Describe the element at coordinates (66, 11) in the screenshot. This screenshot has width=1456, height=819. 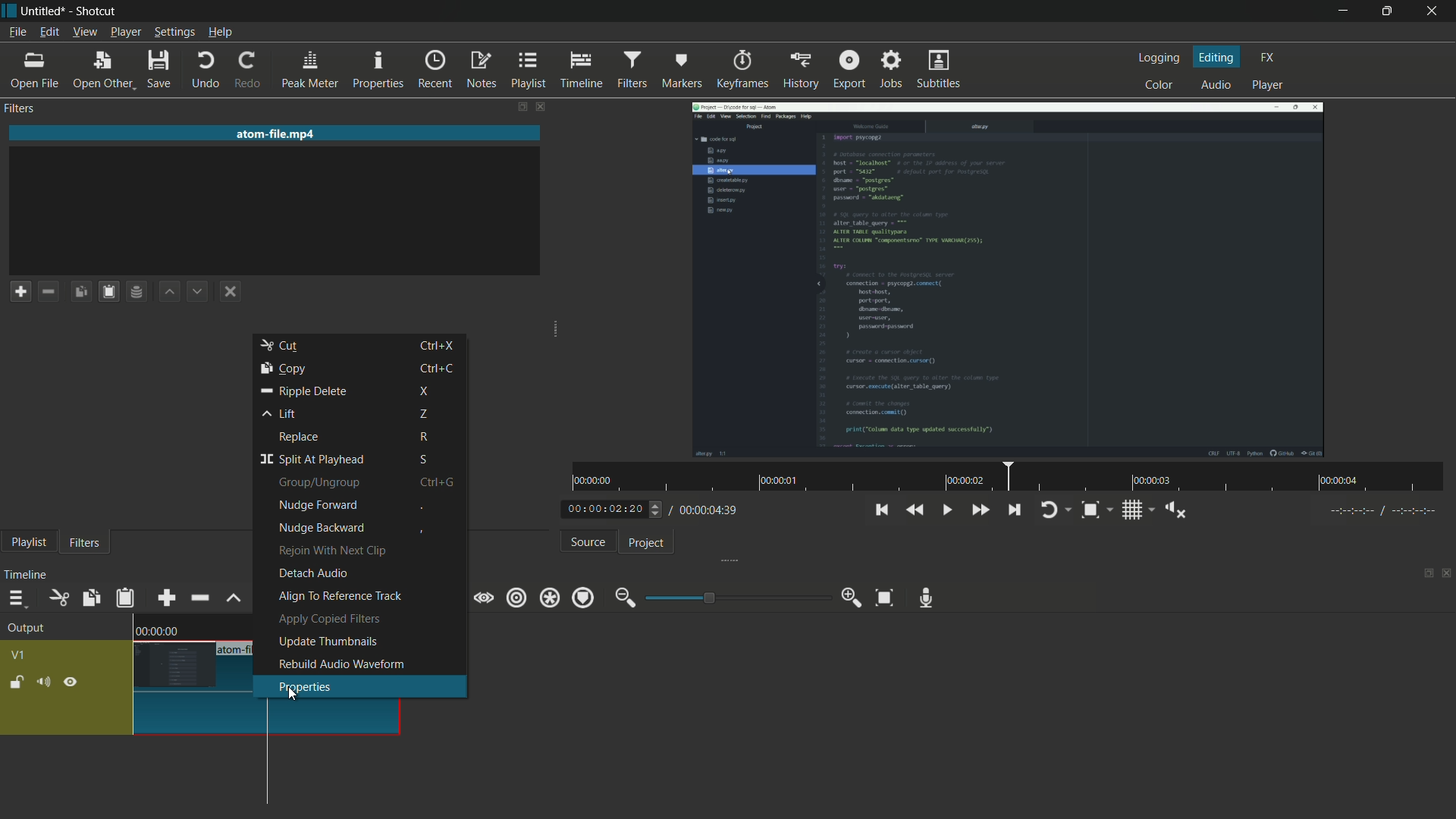
I see `~ Untitled* - Shotcut` at that location.